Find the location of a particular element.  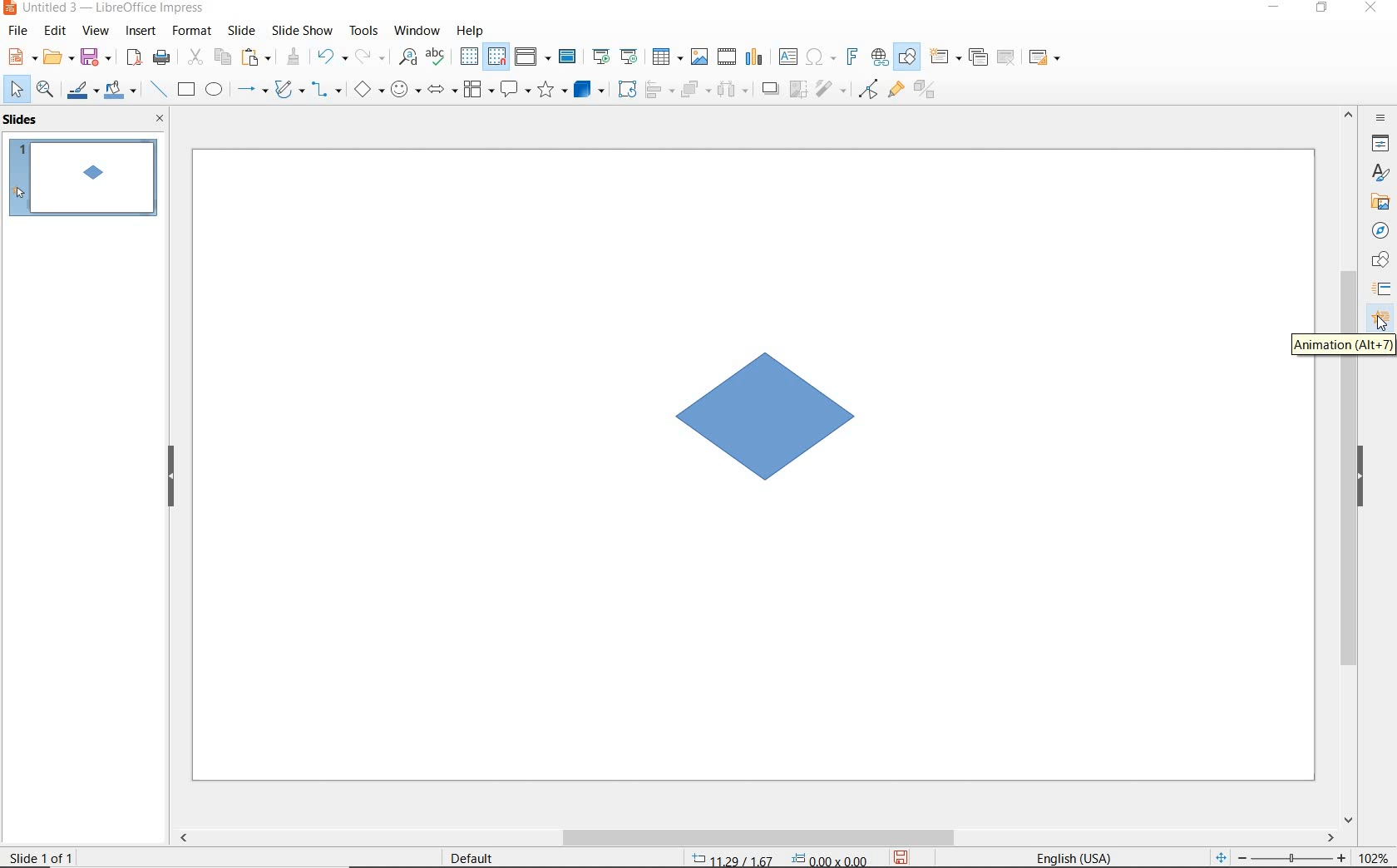

hide is located at coordinates (1367, 477).